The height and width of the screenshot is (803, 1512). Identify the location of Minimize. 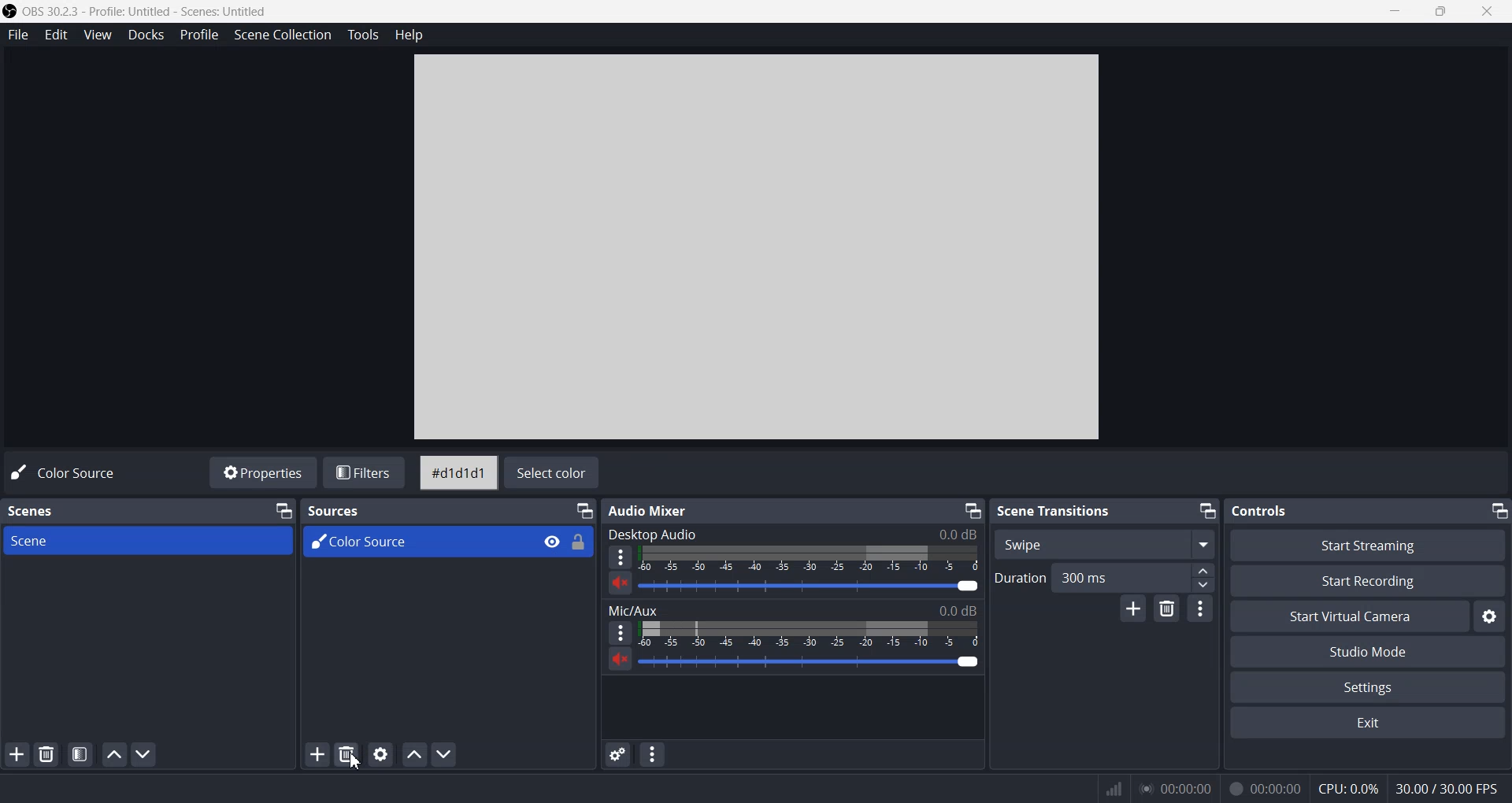
(973, 509).